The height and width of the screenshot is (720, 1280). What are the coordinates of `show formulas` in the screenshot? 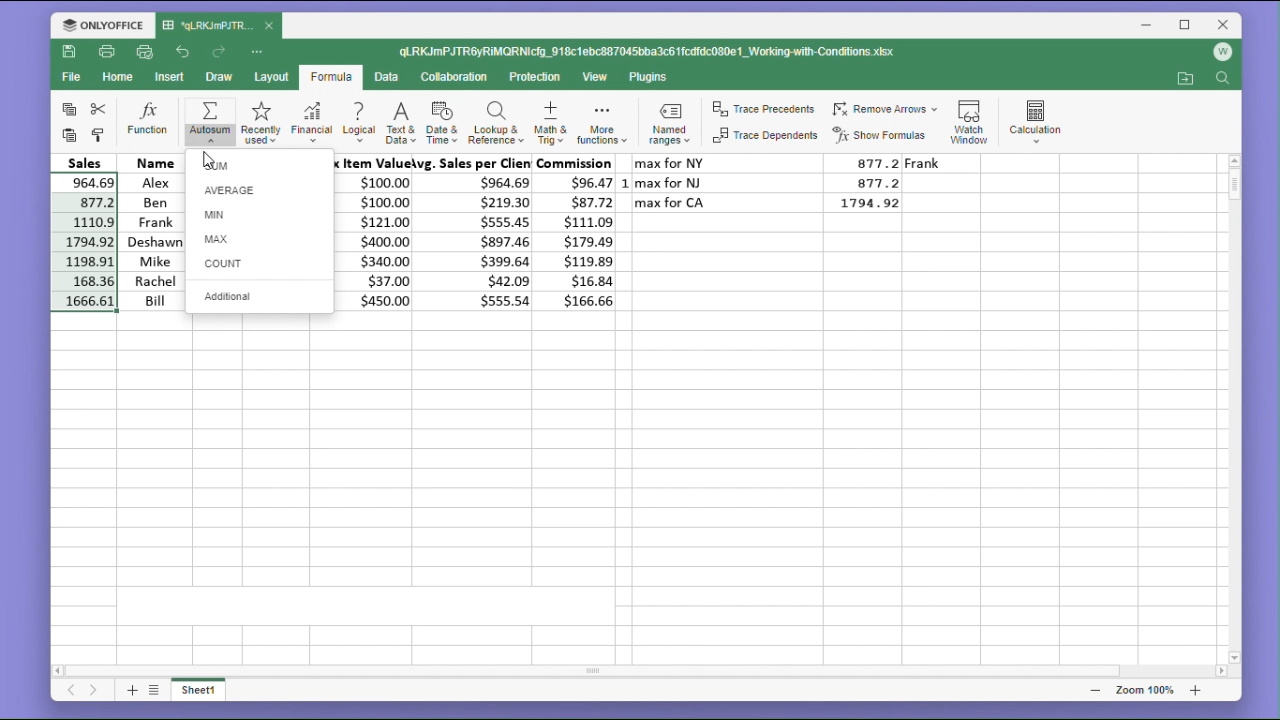 It's located at (884, 135).